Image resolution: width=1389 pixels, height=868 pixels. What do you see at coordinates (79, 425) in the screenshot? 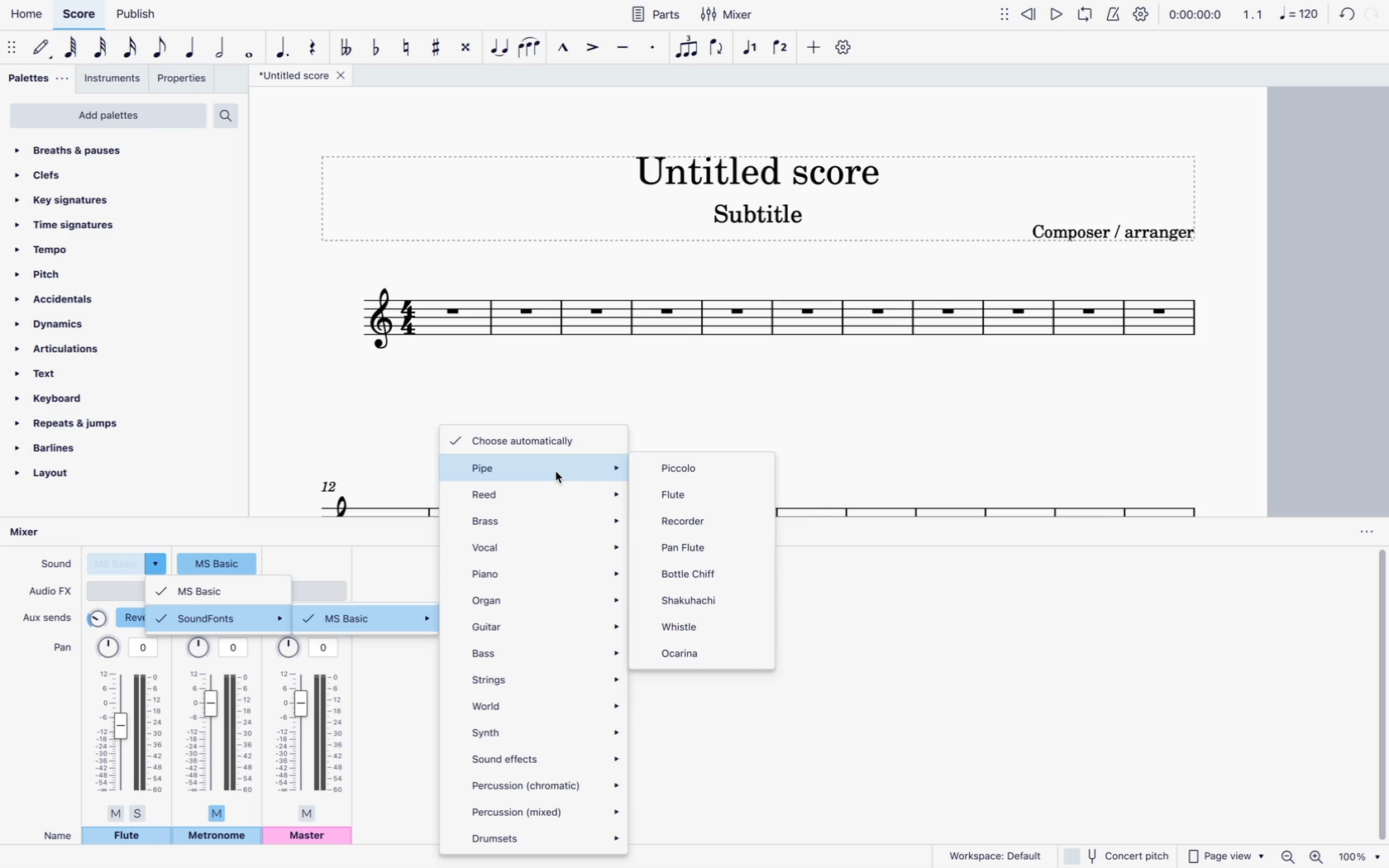
I see `repeats & jumps` at bounding box center [79, 425].